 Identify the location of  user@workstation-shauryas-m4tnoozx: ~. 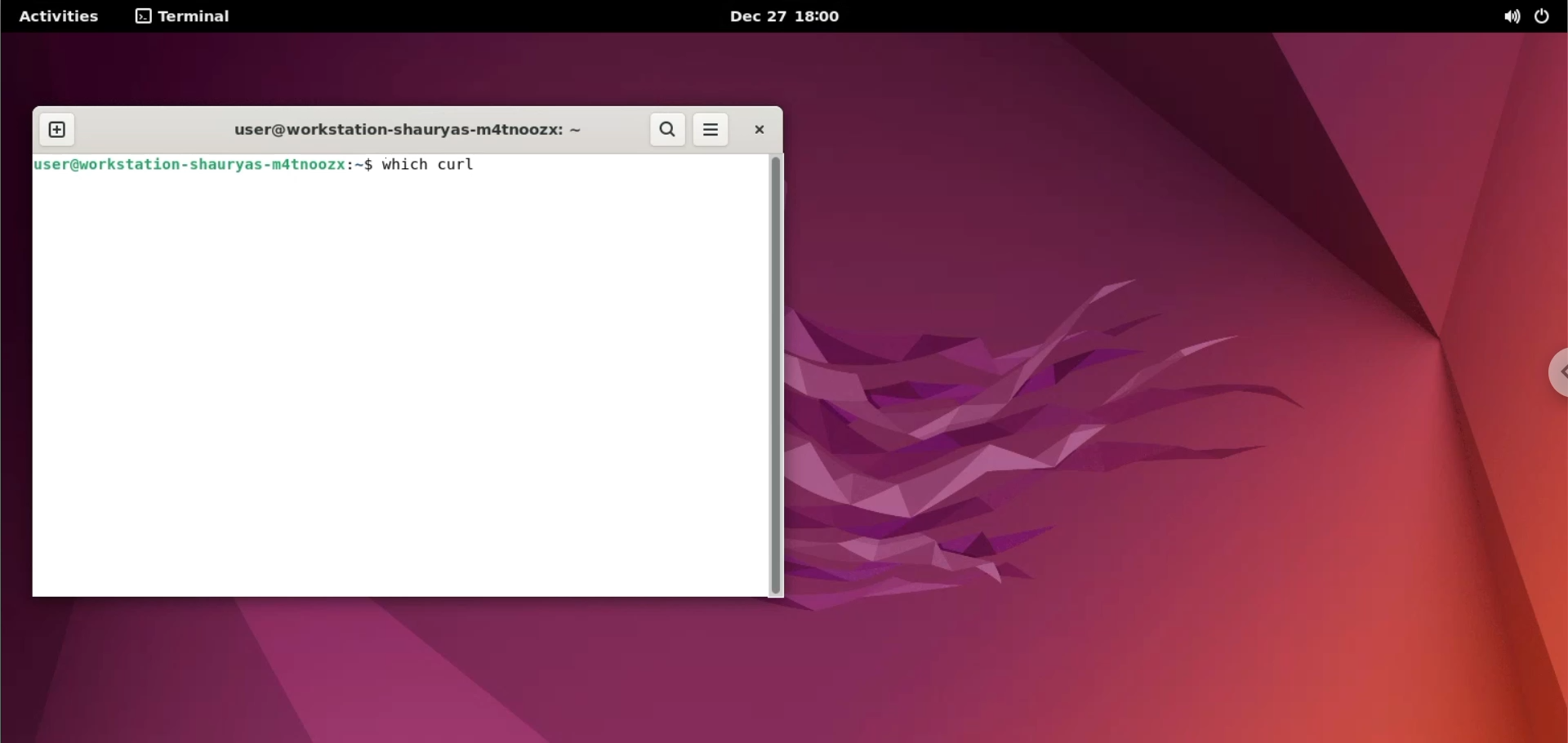
(394, 132).